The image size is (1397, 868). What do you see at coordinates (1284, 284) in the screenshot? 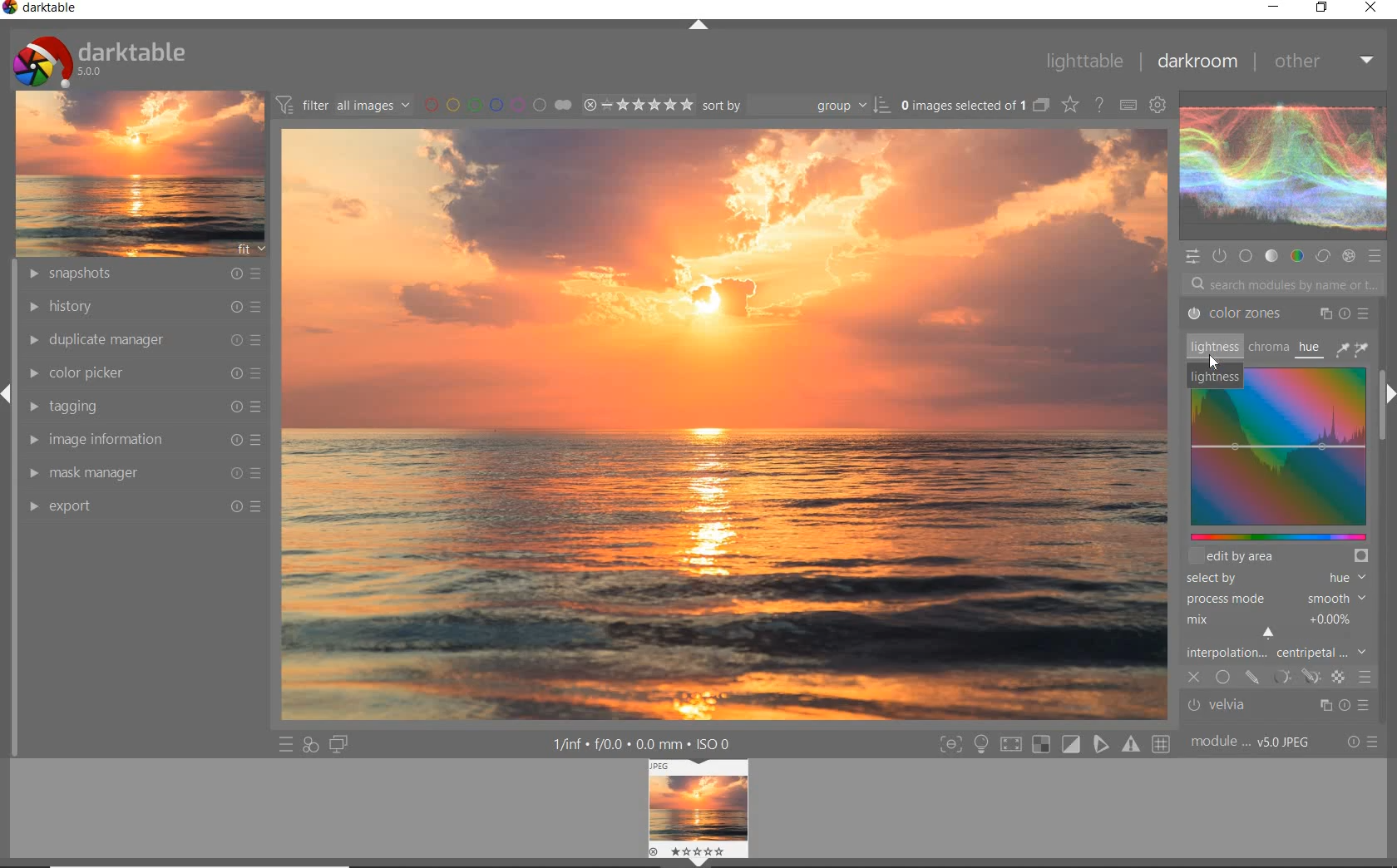
I see `SEARCH MODULES` at bounding box center [1284, 284].